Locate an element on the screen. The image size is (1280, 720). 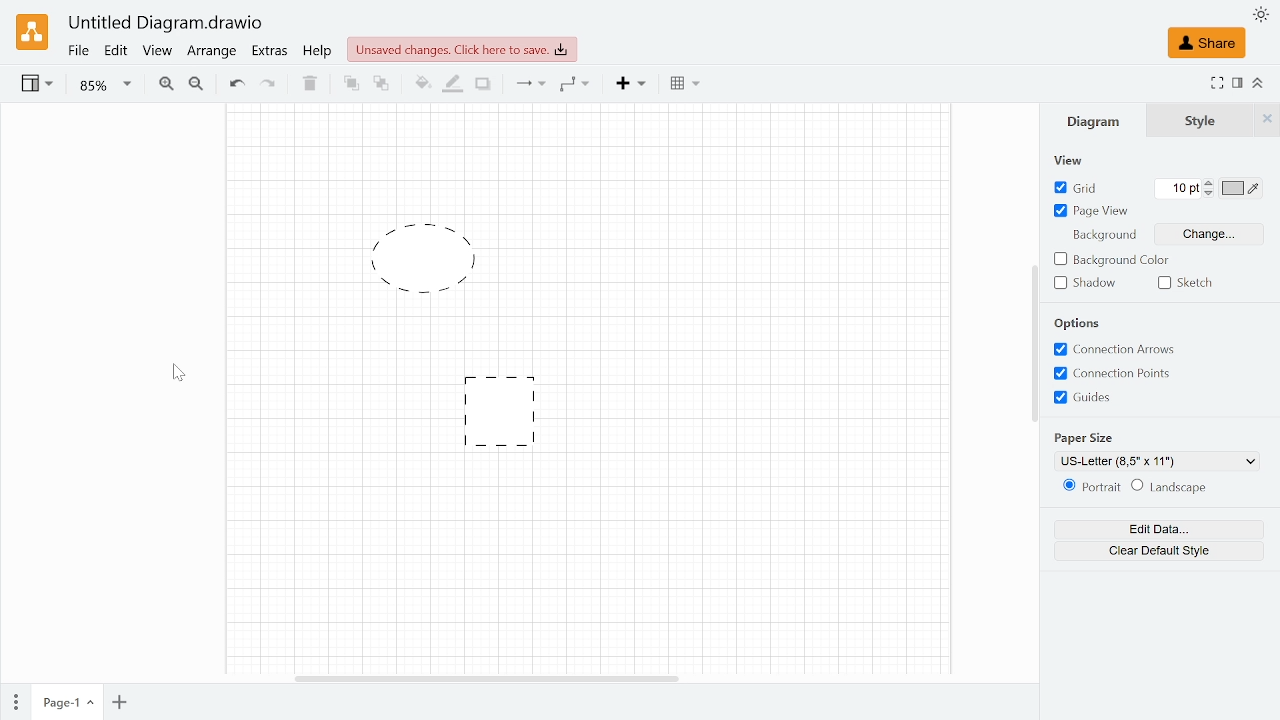
Increase grid unit is located at coordinates (1210, 182).